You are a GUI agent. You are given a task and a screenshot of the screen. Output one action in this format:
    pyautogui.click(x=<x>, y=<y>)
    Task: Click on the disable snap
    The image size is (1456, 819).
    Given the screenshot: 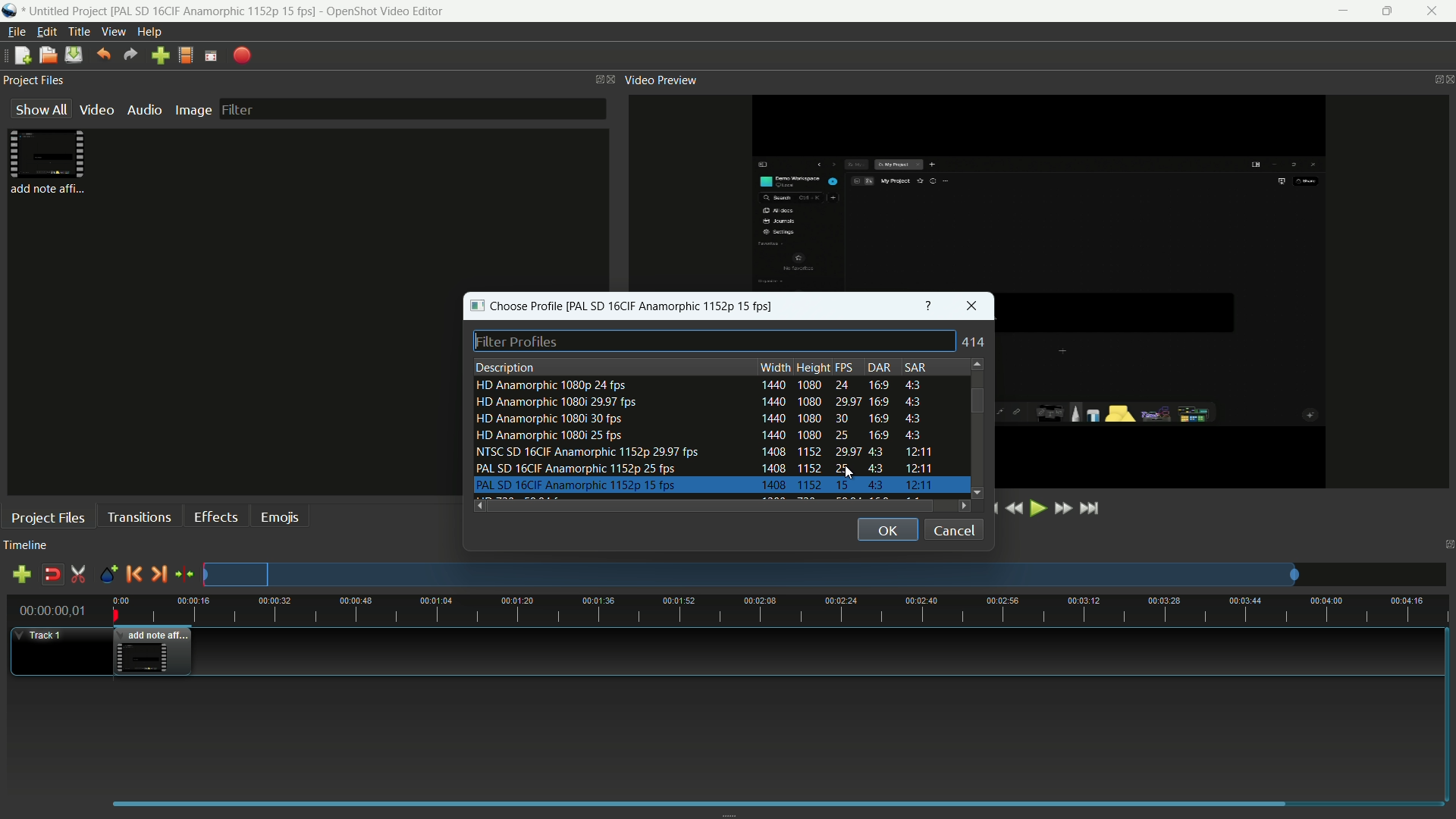 What is the action you would take?
    pyautogui.click(x=52, y=575)
    